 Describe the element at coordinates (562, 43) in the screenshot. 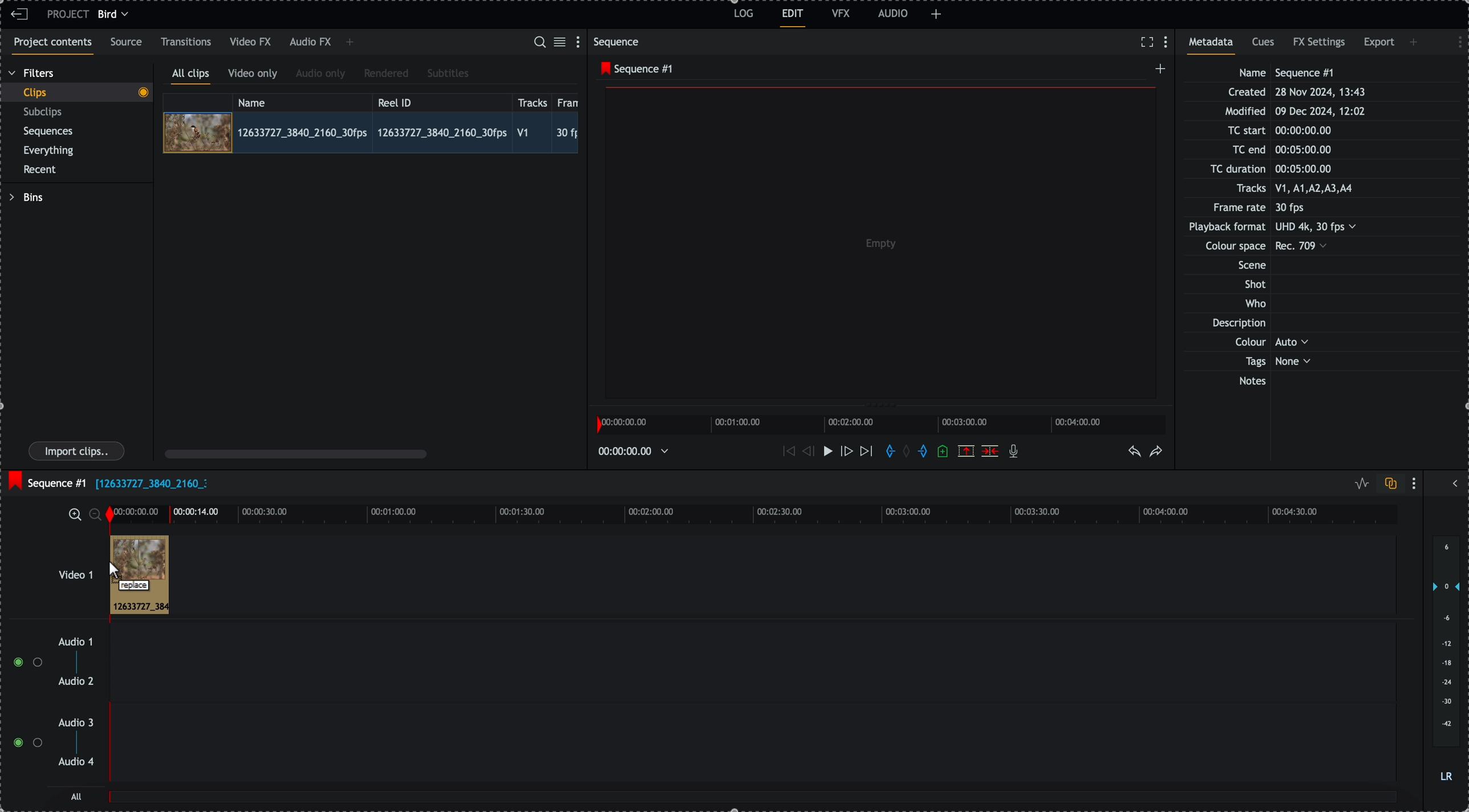

I see `toggle between list and tile view` at that location.